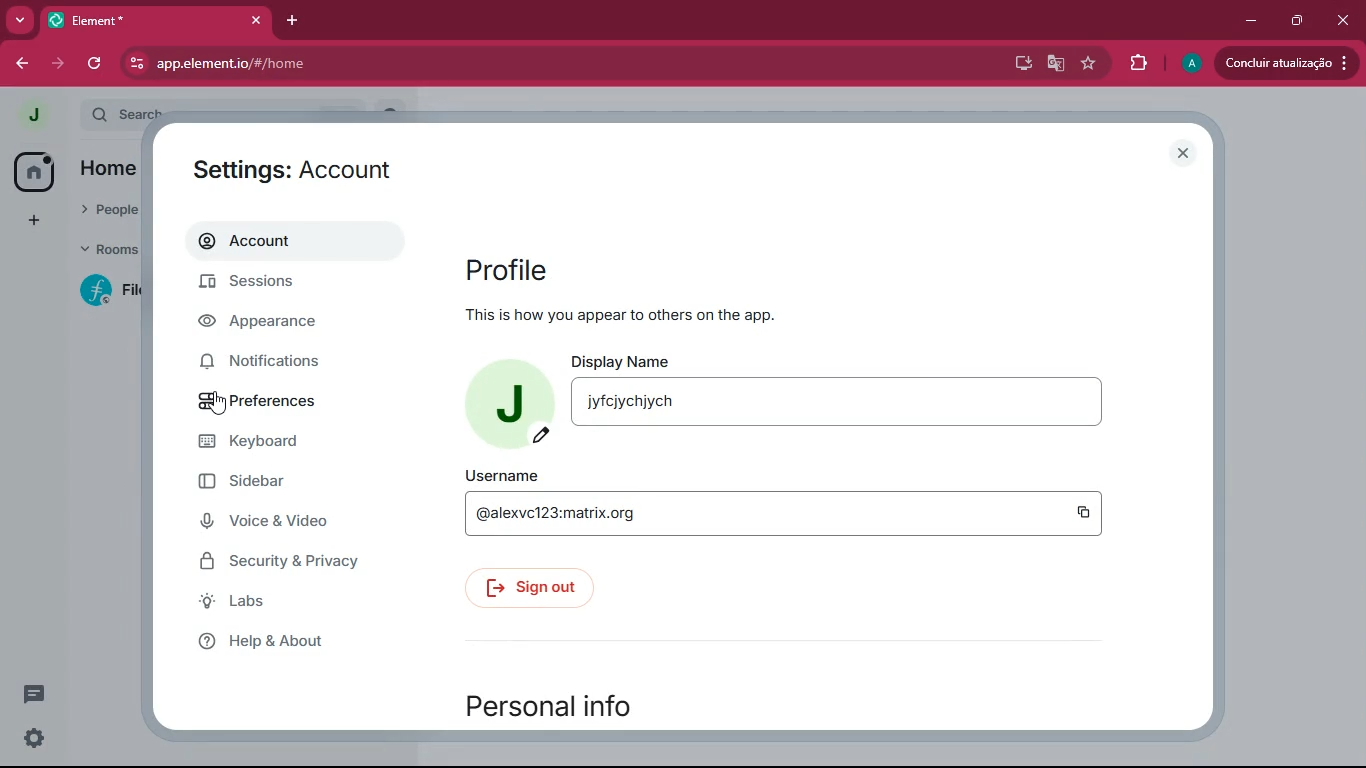  What do you see at coordinates (1291, 64) in the screenshot?
I see `update` at bounding box center [1291, 64].